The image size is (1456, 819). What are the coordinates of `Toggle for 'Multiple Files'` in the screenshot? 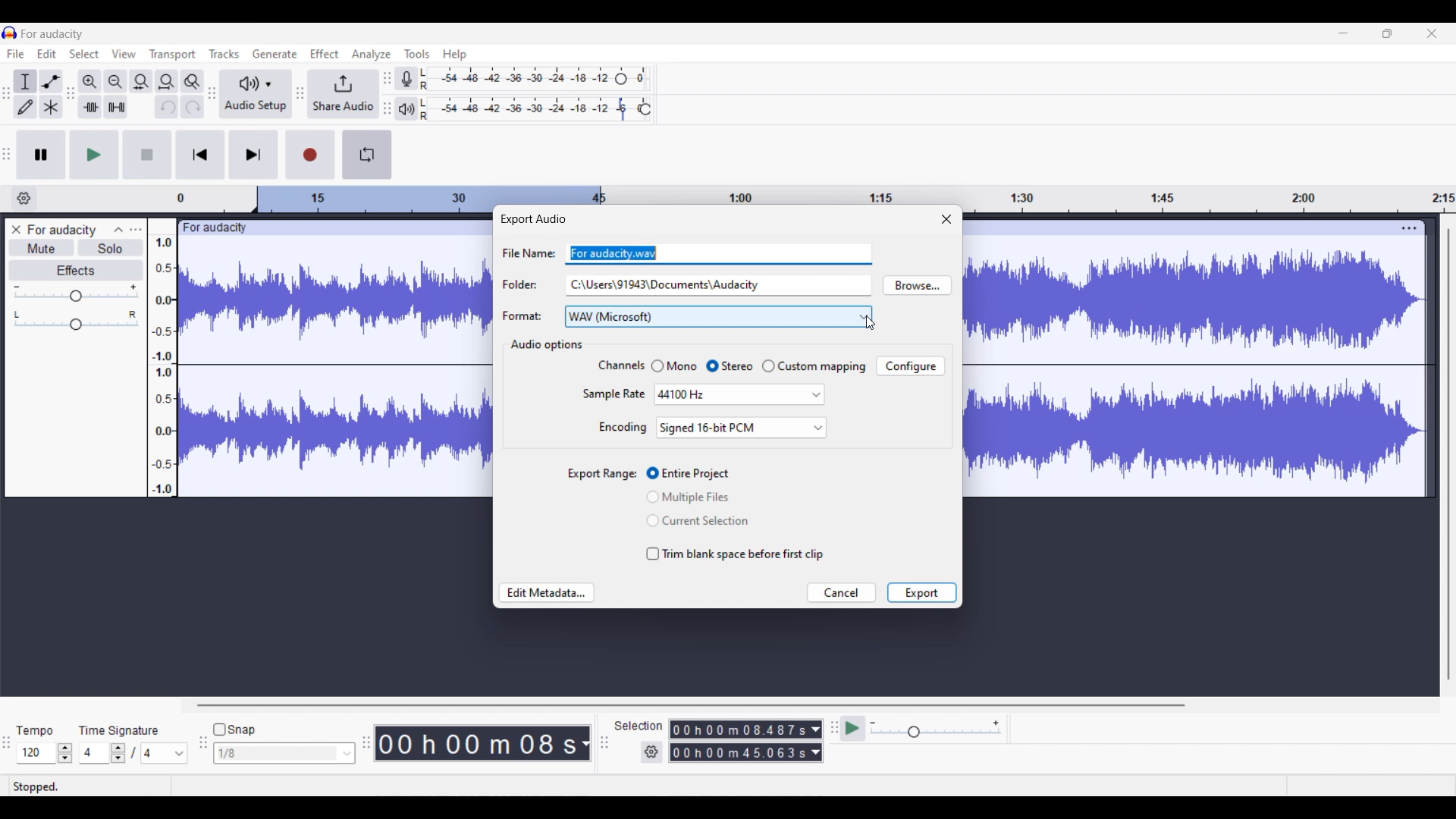 It's located at (698, 497).